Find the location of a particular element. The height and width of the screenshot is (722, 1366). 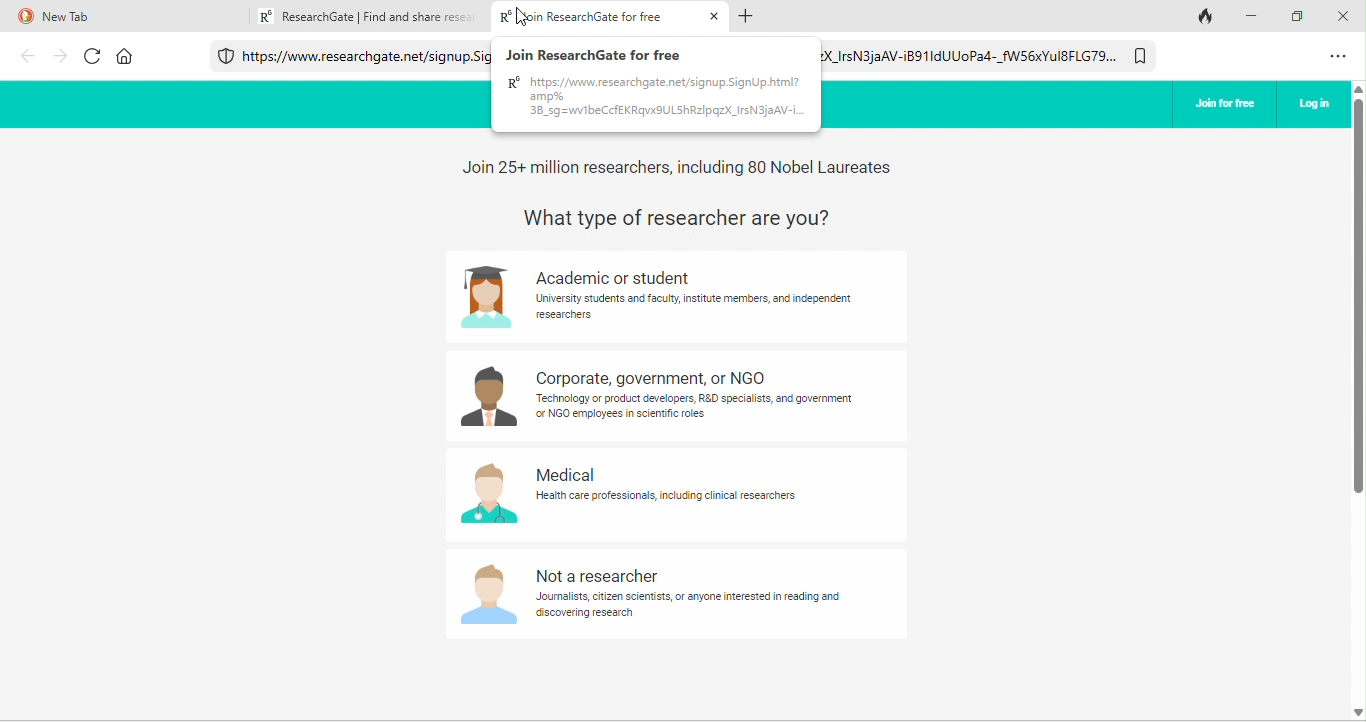

Scroll Down is located at coordinates (1357, 711).